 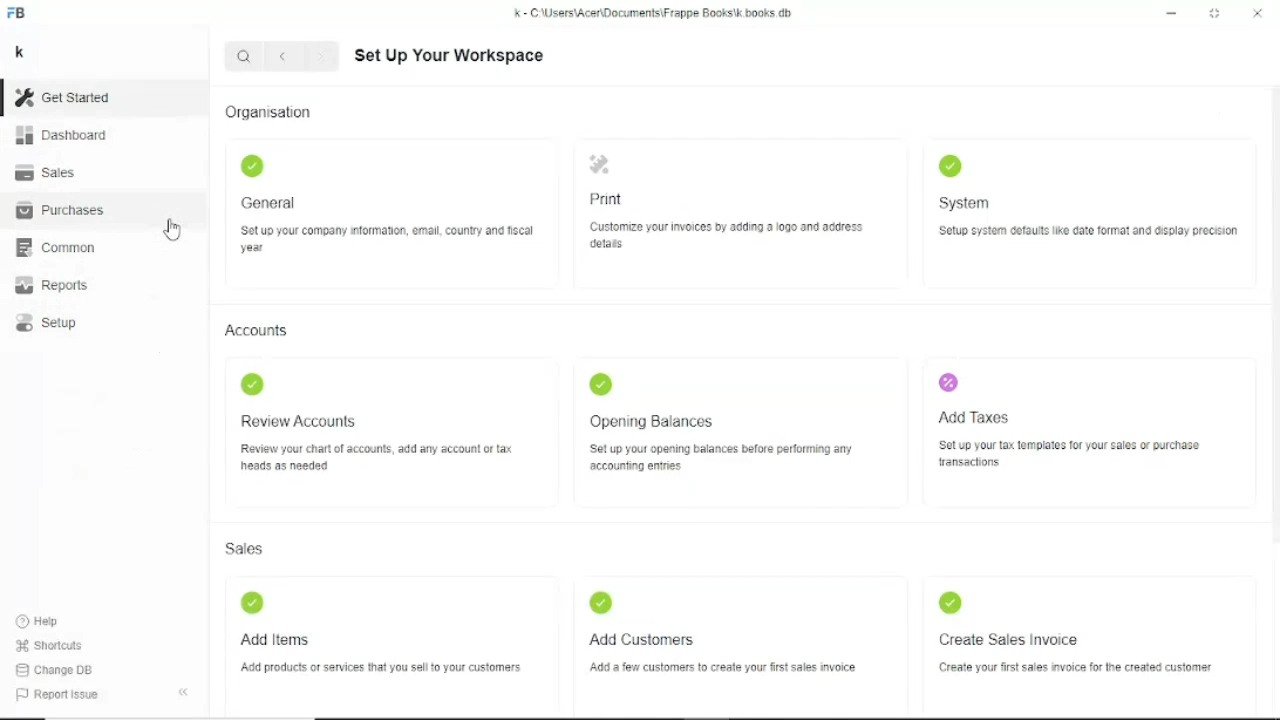 I want to click on Shortcuts, so click(x=48, y=646).